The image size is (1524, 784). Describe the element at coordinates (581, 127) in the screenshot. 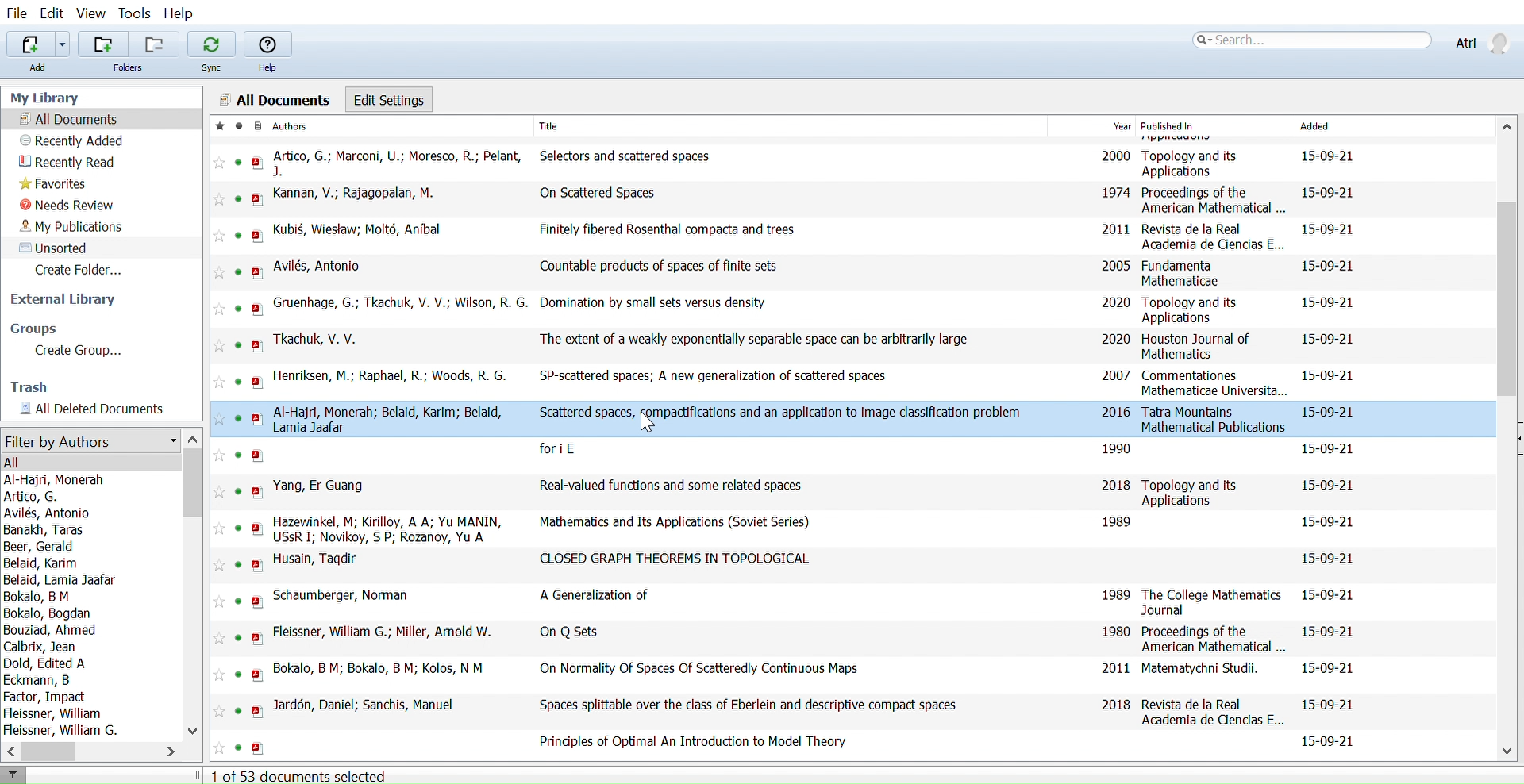

I see `Title` at that location.